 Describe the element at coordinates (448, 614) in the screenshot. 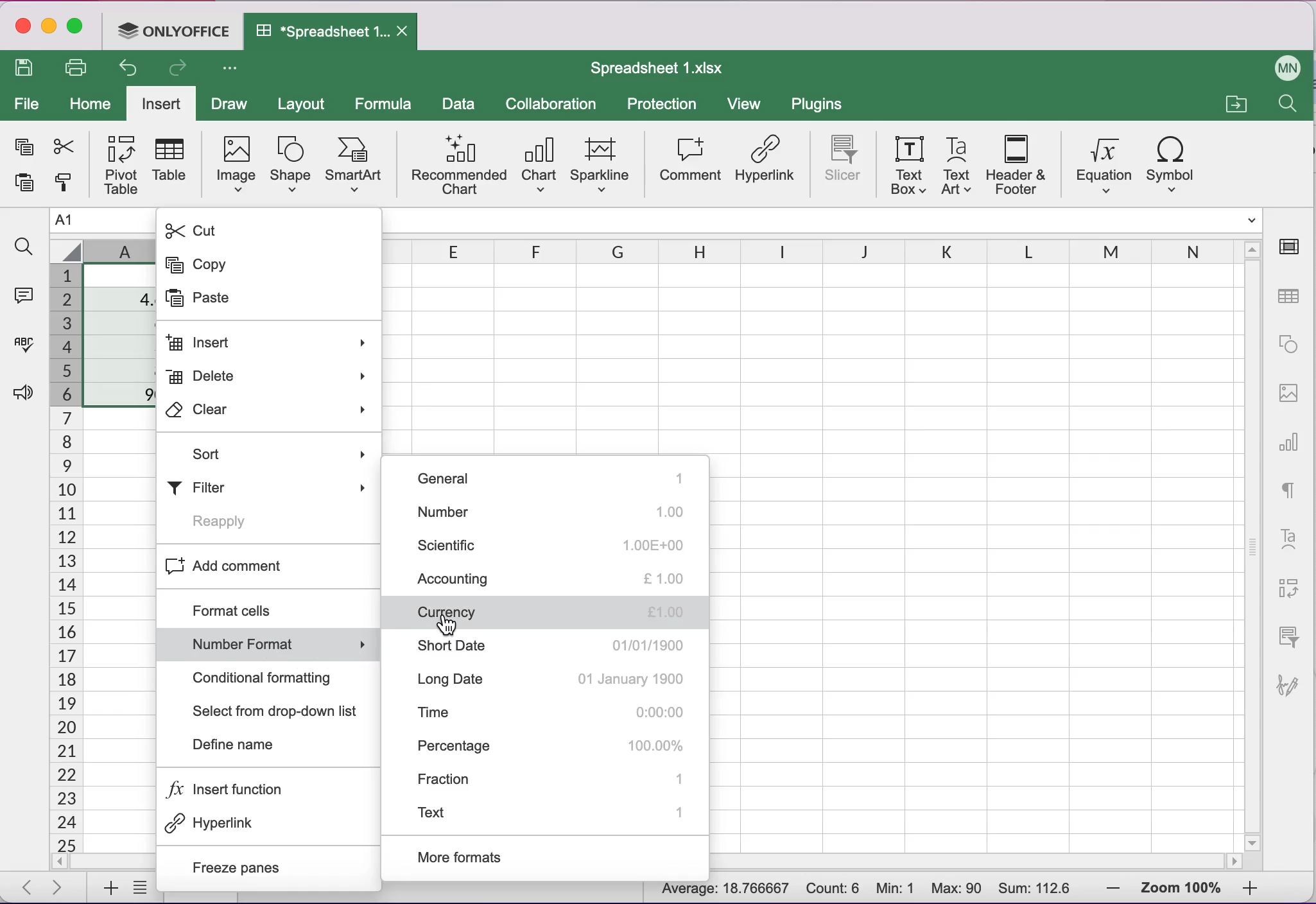

I see `Cursor` at that location.